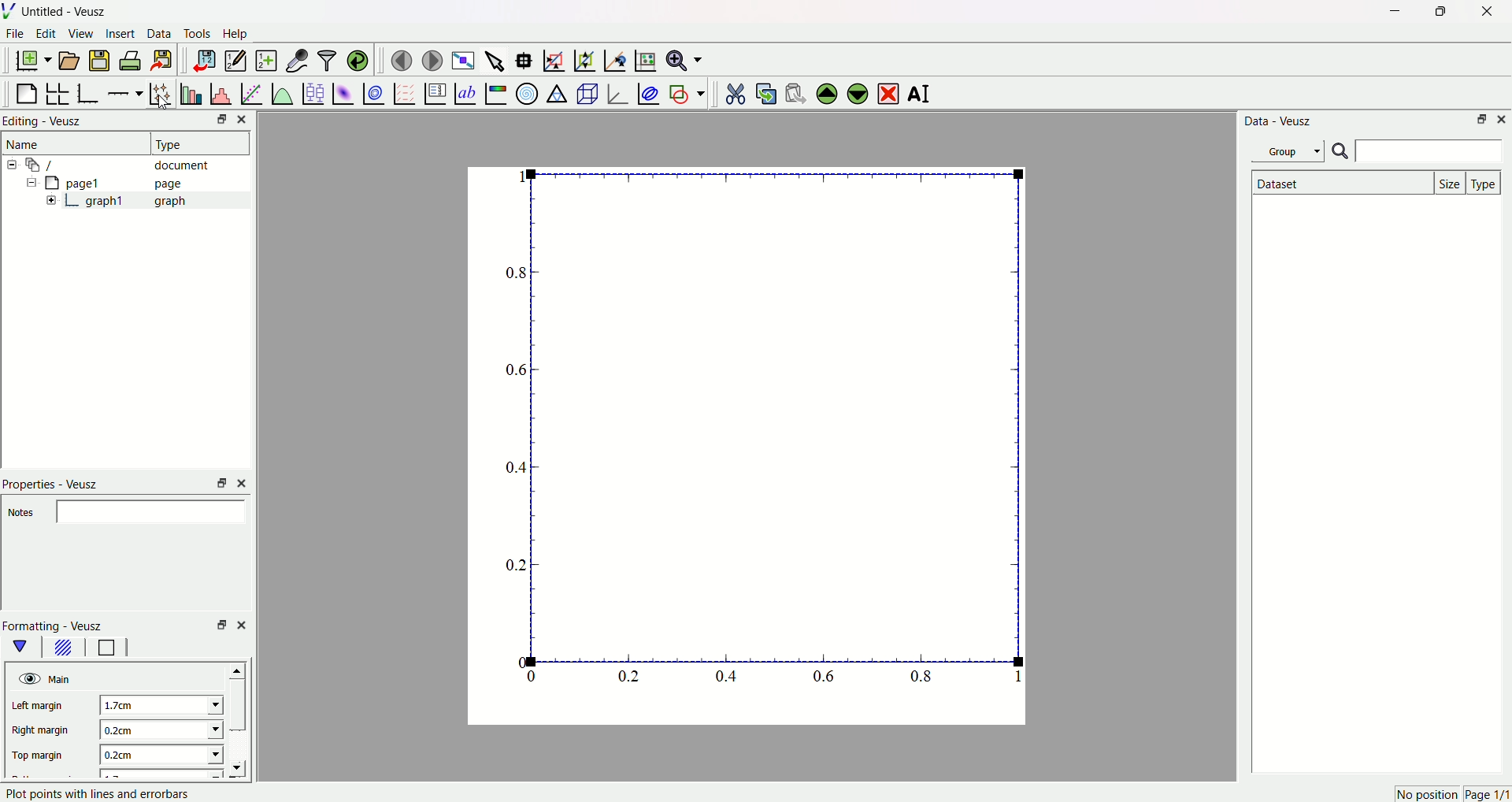 The image size is (1512, 802). What do you see at coordinates (41, 732) in the screenshot?
I see `right margin` at bounding box center [41, 732].